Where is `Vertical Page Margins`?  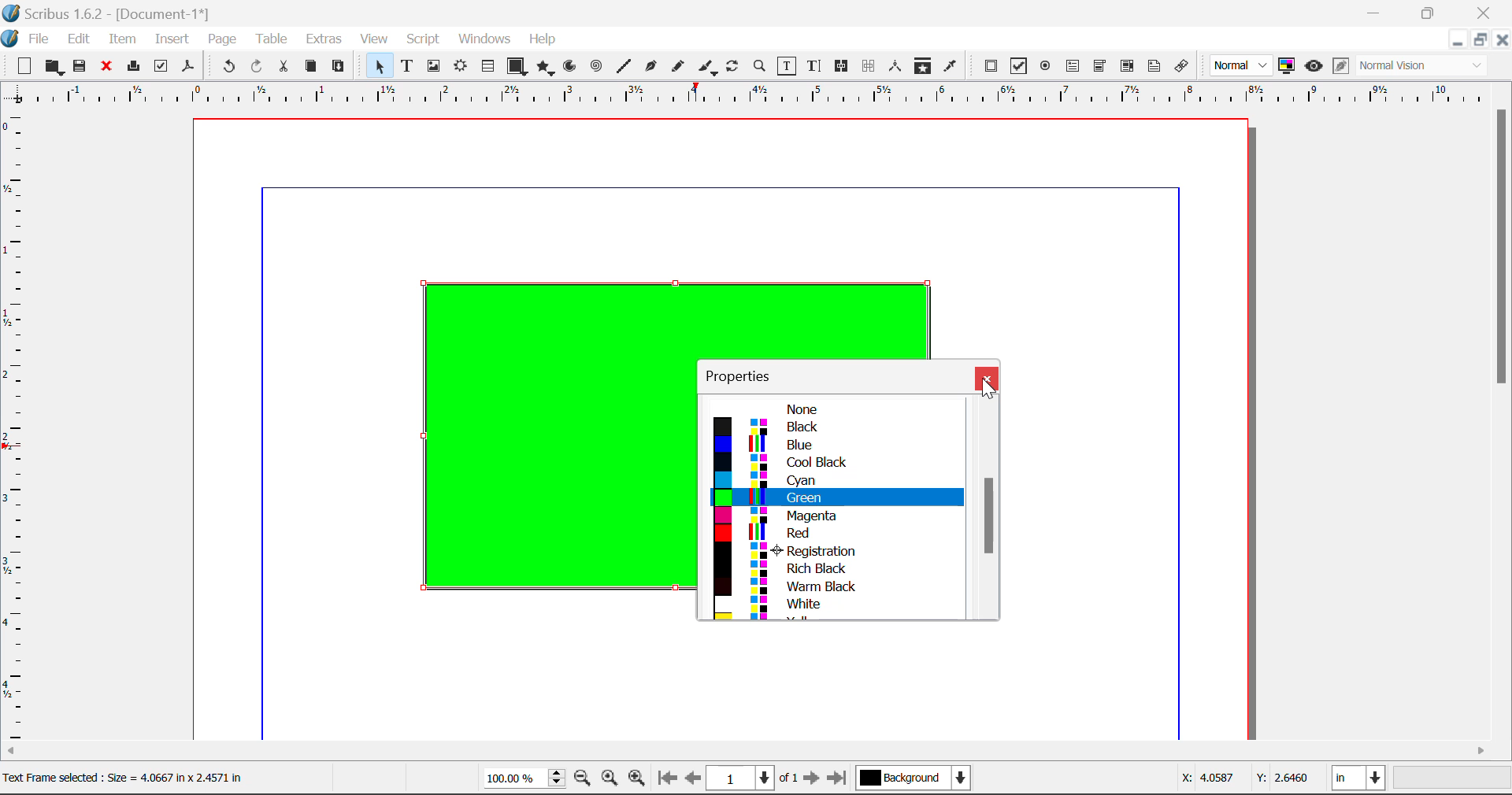
Vertical Page Margins is located at coordinates (764, 94).